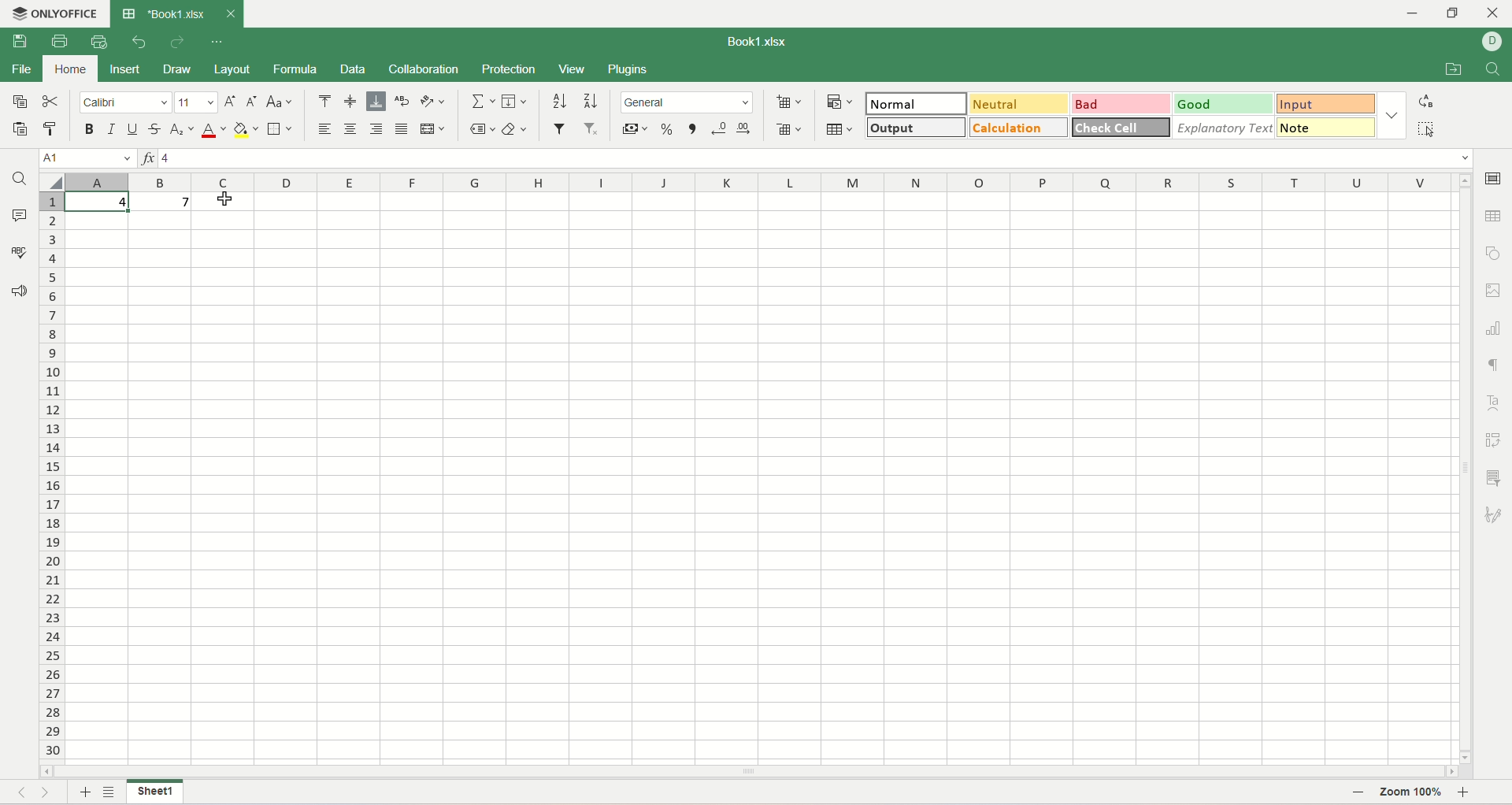  What do you see at coordinates (69, 69) in the screenshot?
I see `home` at bounding box center [69, 69].